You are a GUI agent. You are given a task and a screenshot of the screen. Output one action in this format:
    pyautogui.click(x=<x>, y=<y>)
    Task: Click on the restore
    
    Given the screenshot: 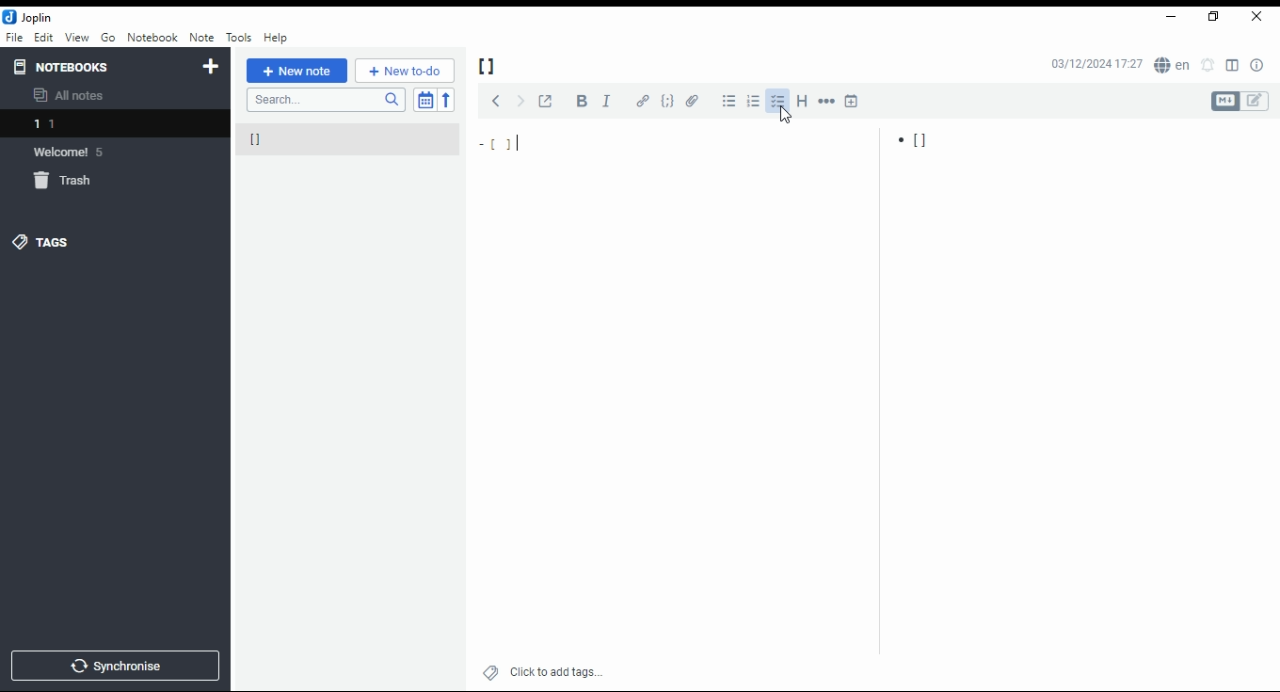 What is the action you would take?
    pyautogui.click(x=1216, y=17)
    